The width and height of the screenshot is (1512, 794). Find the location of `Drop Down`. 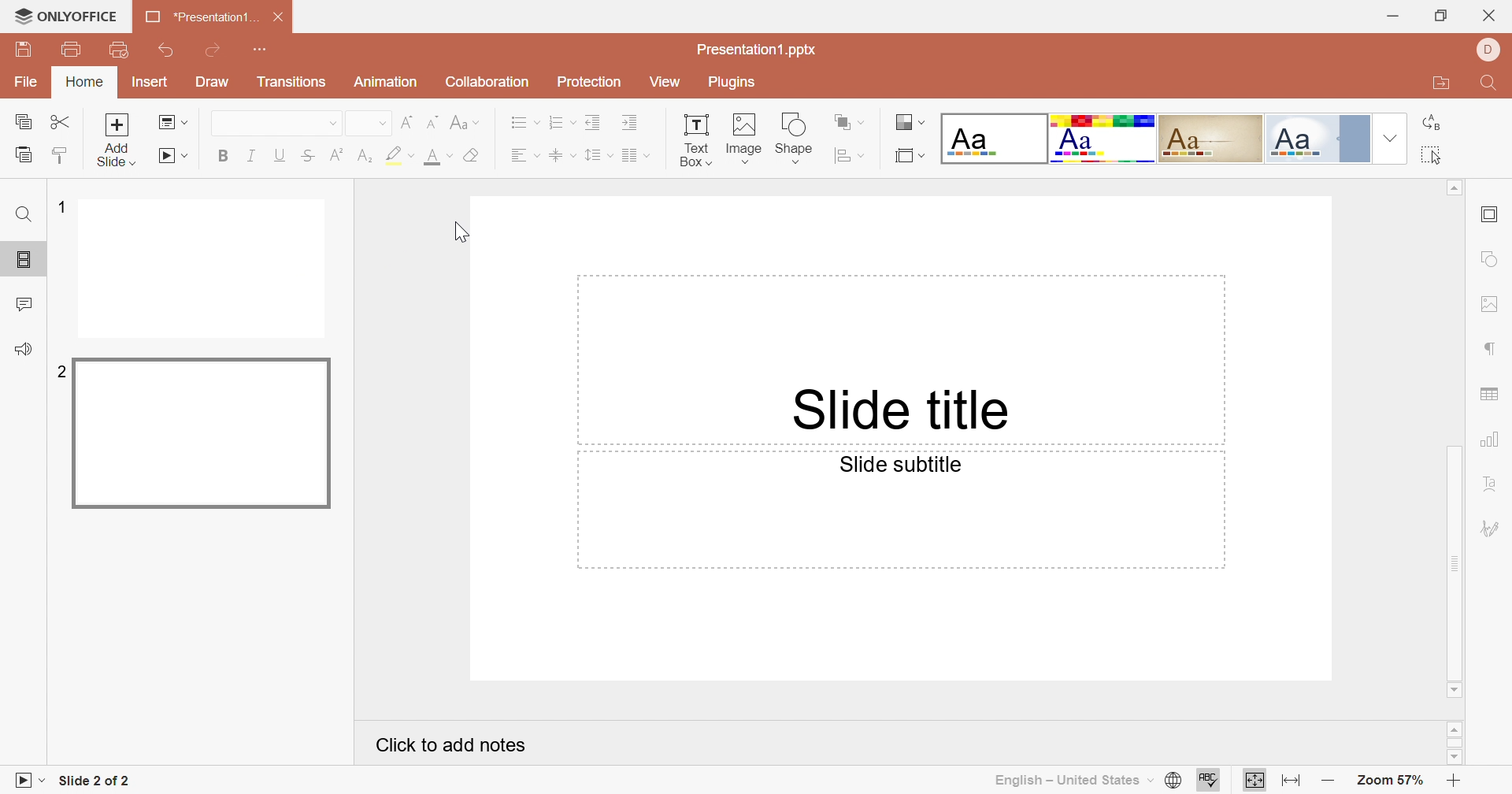

Drop Down is located at coordinates (328, 124).